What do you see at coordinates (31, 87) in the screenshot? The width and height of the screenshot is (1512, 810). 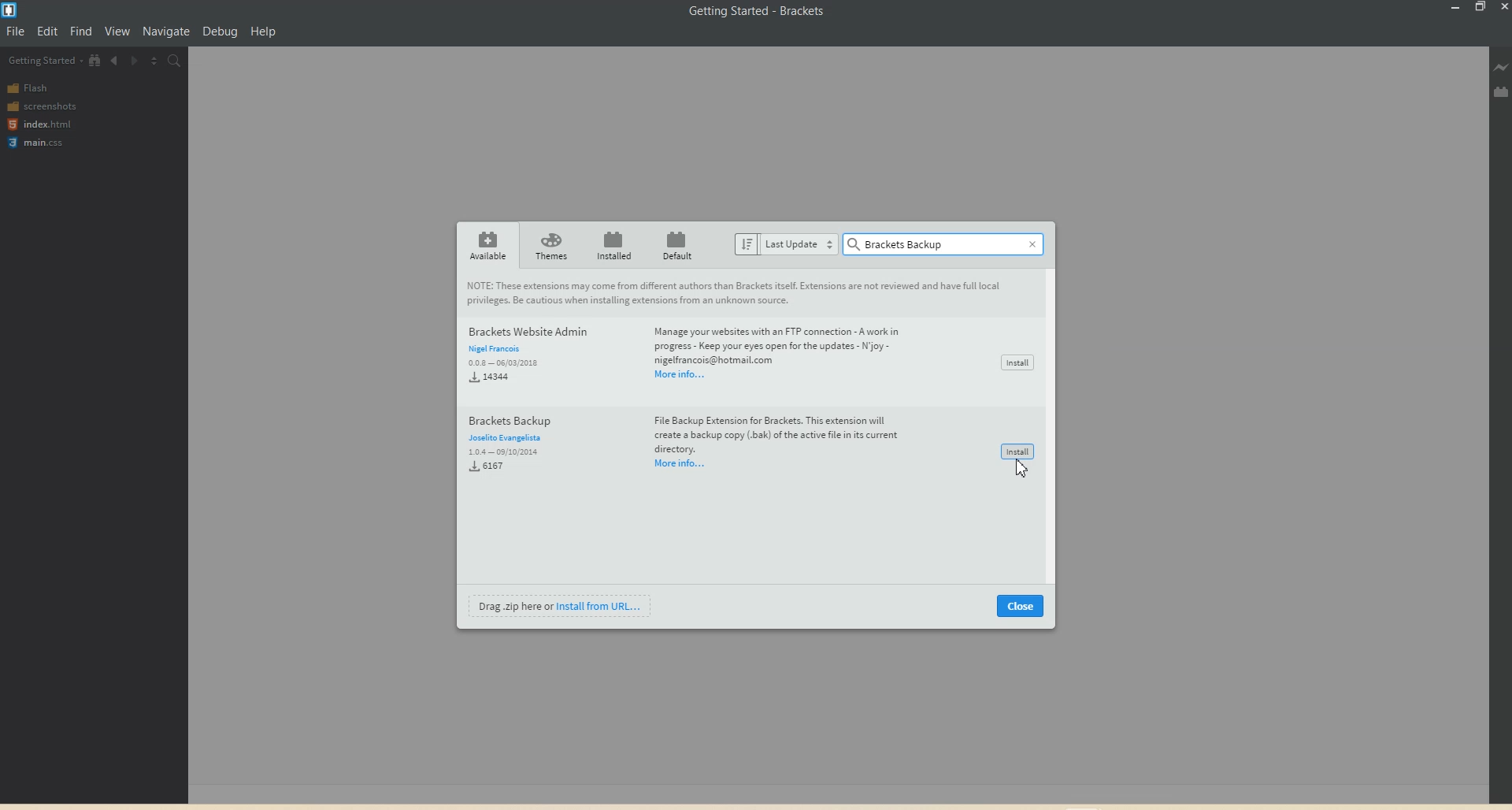 I see `Flash` at bounding box center [31, 87].